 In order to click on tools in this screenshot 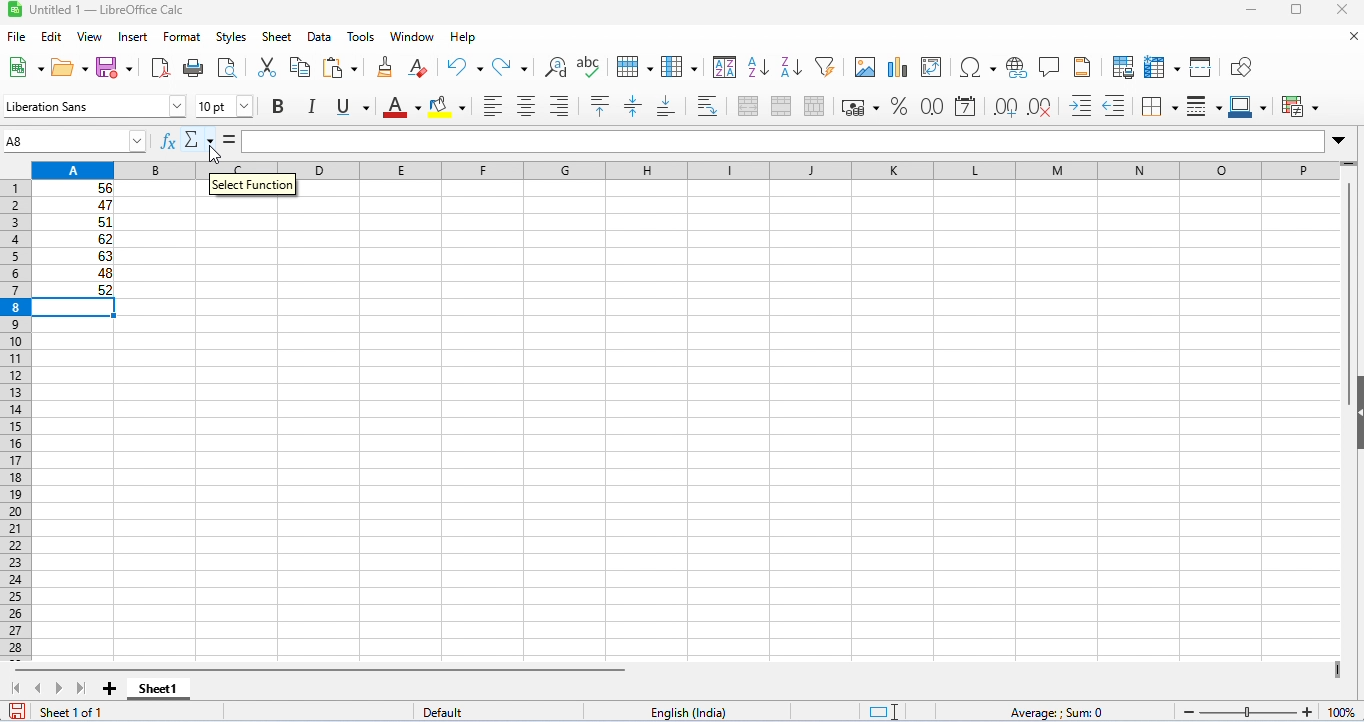, I will do `click(361, 37)`.